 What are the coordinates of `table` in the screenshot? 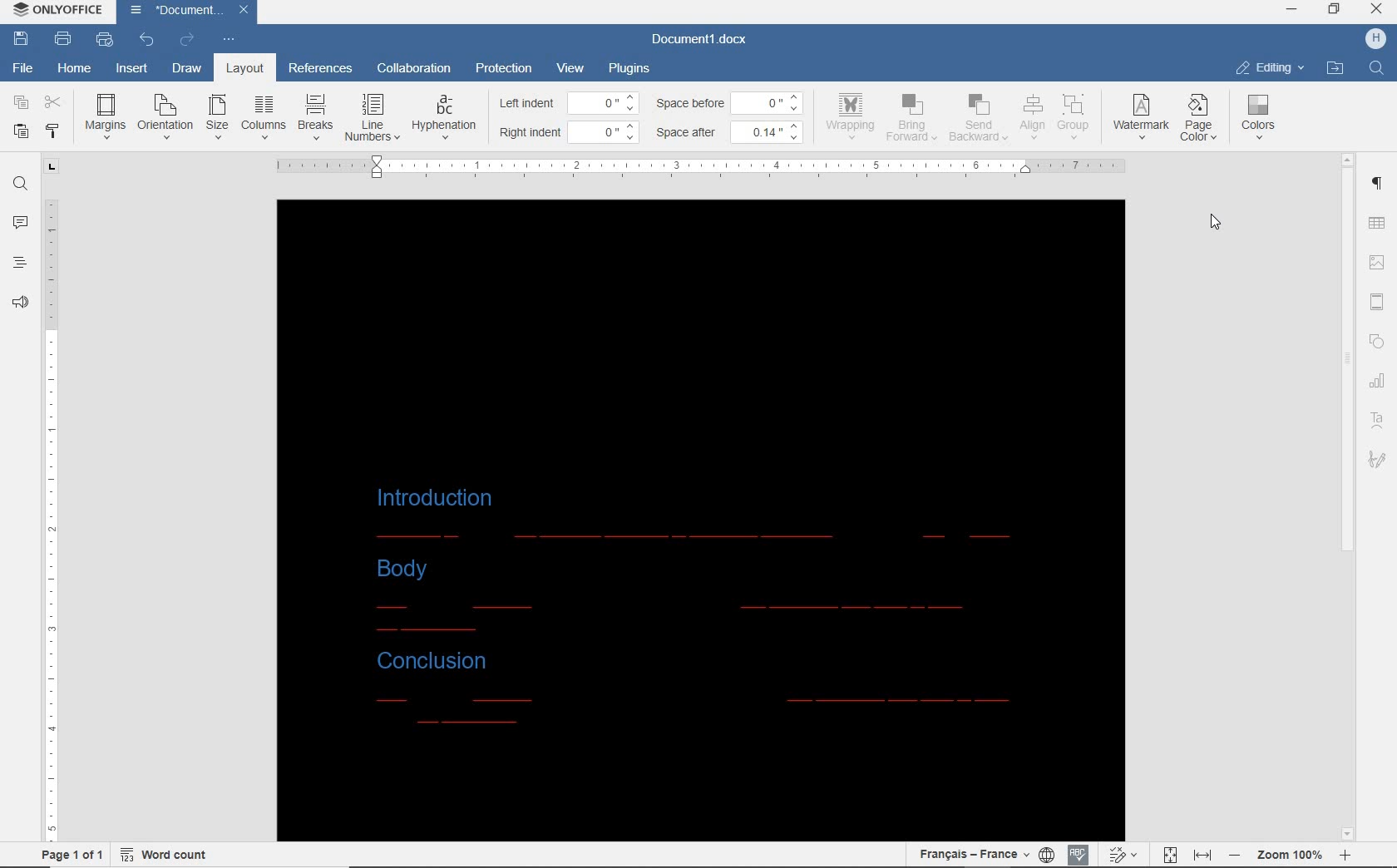 It's located at (1377, 224).